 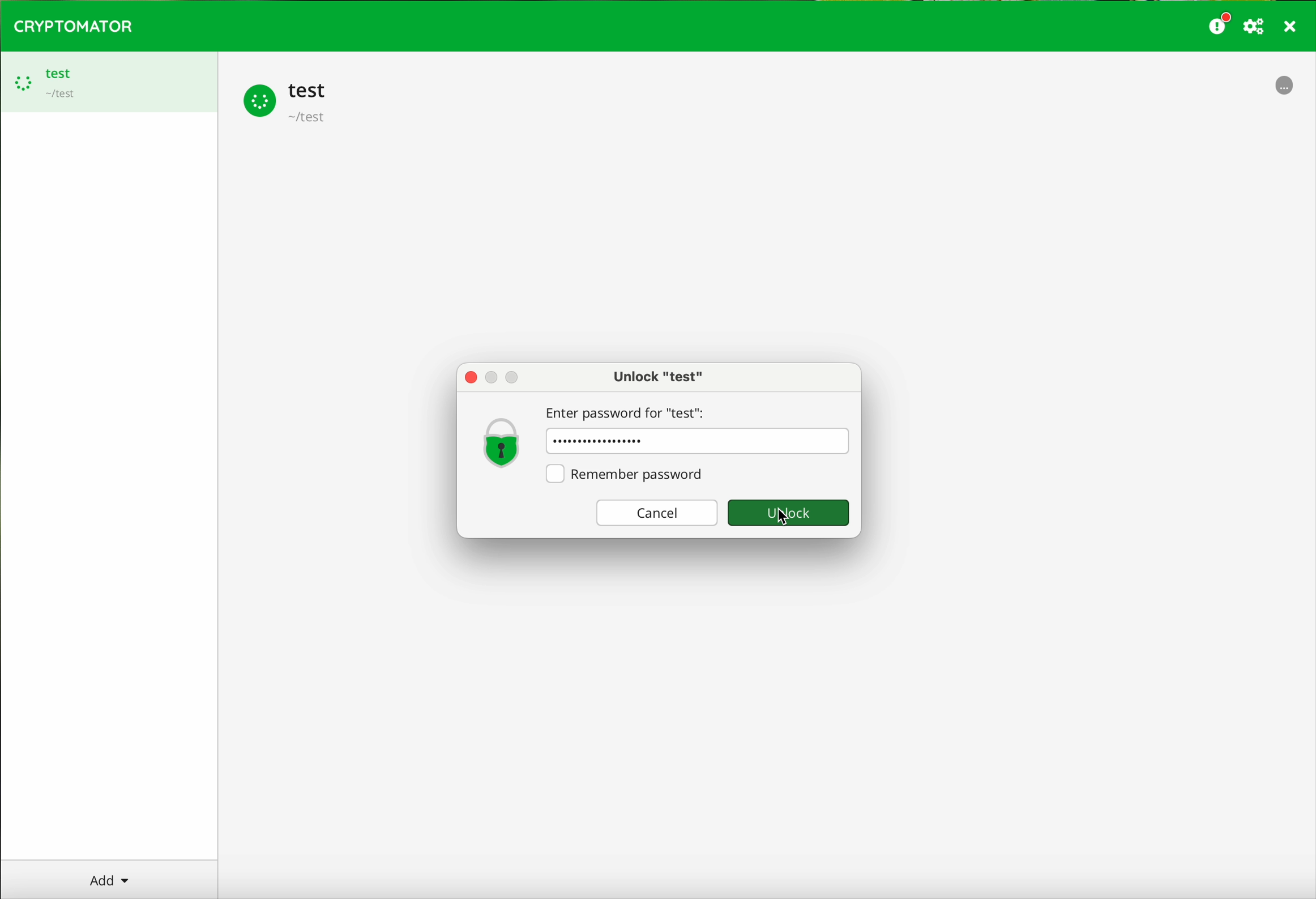 I want to click on Enter password for "test":, so click(x=630, y=410).